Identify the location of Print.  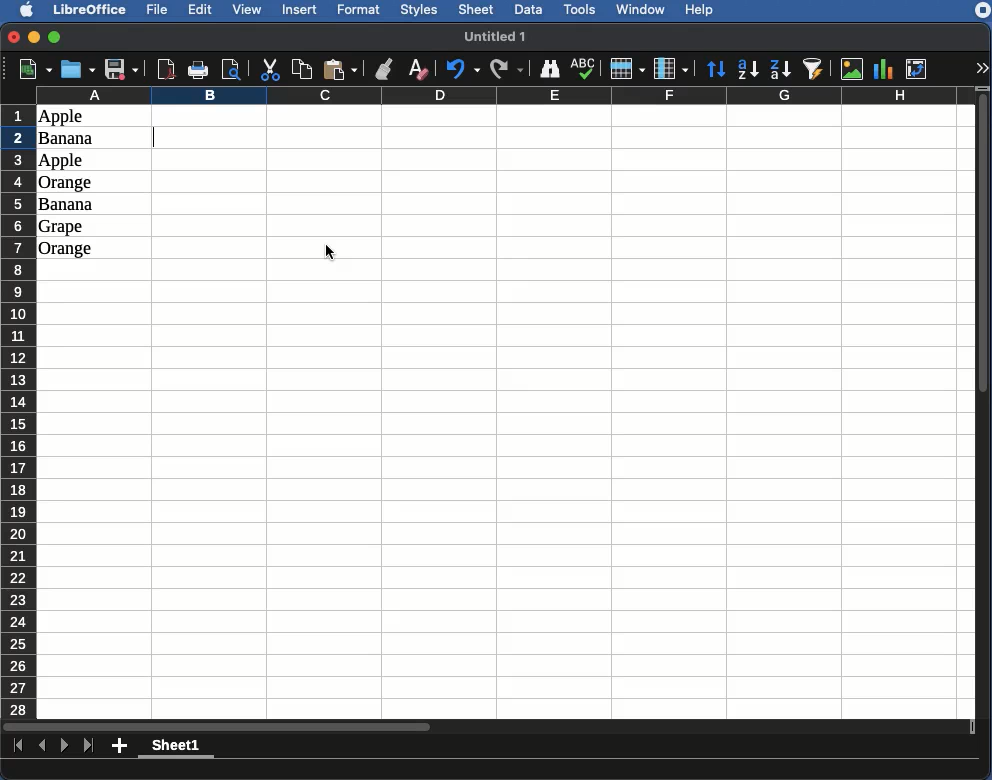
(200, 70).